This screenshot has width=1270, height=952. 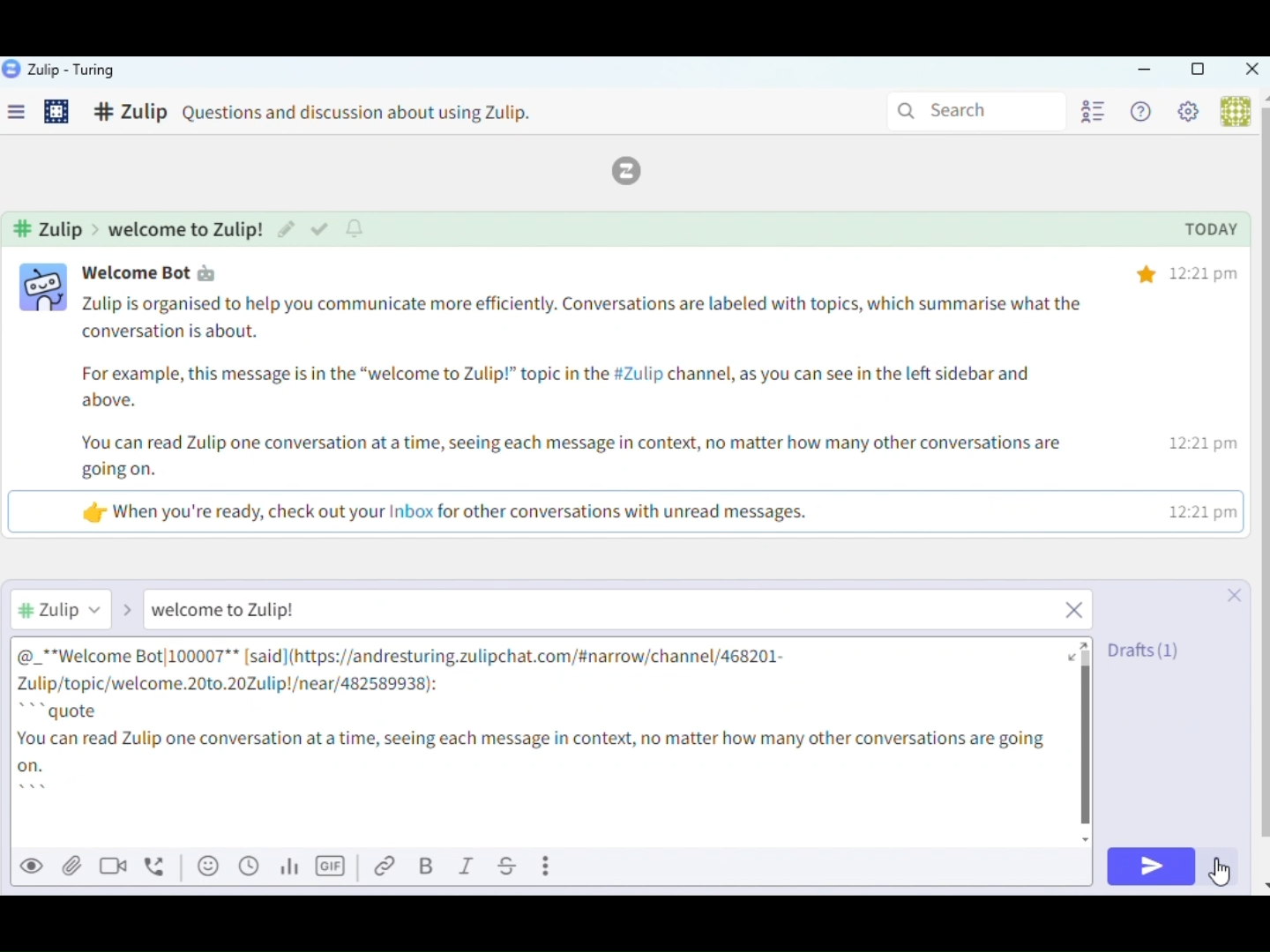 What do you see at coordinates (331, 115) in the screenshot?
I see `Comment` at bounding box center [331, 115].